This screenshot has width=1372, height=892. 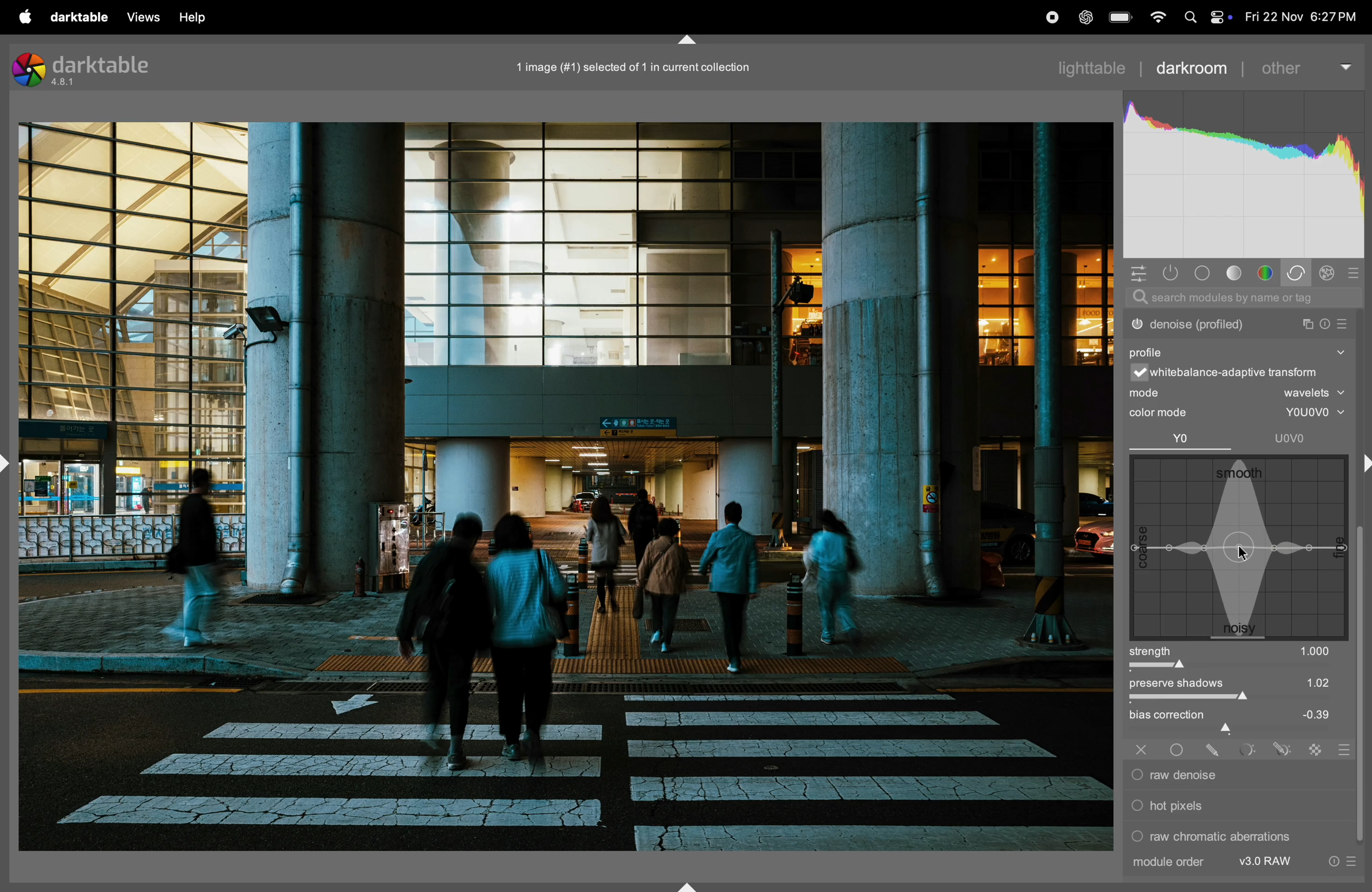 What do you see at coordinates (687, 40) in the screenshot?
I see `shift+ctrl+t` at bounding box center [687, 40].